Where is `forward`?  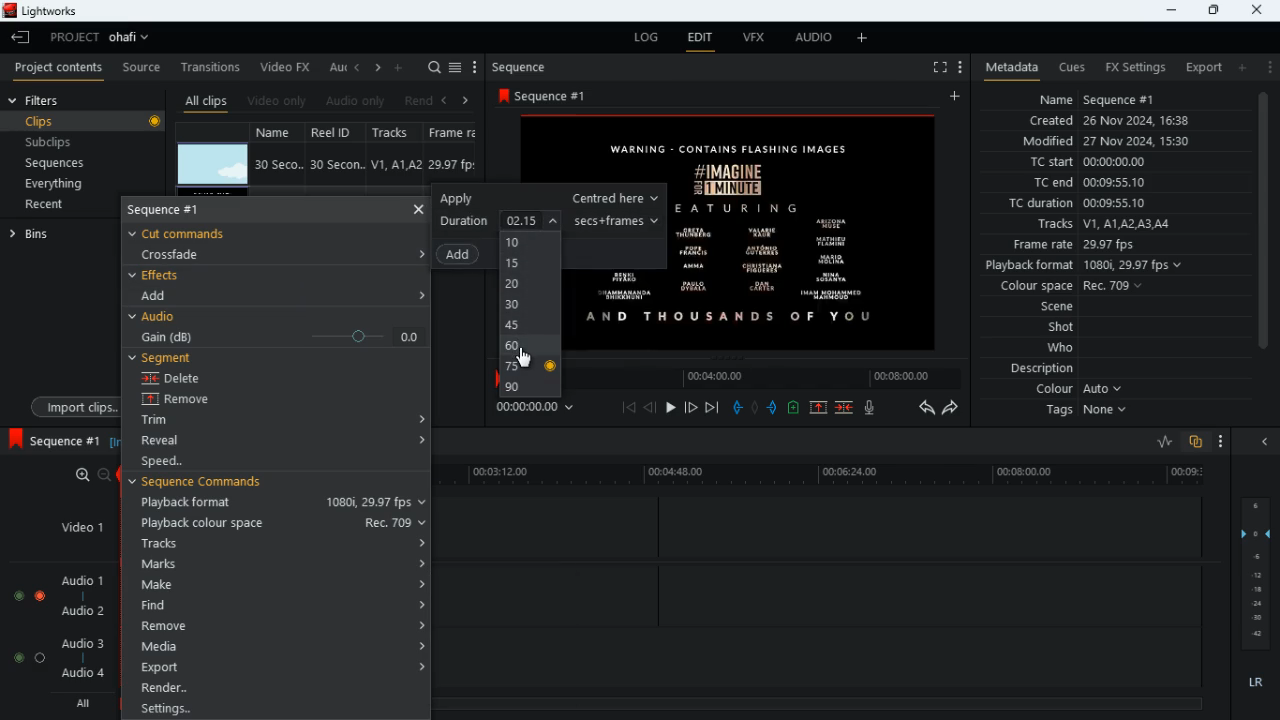
forward is located at coordinates (952, 409).